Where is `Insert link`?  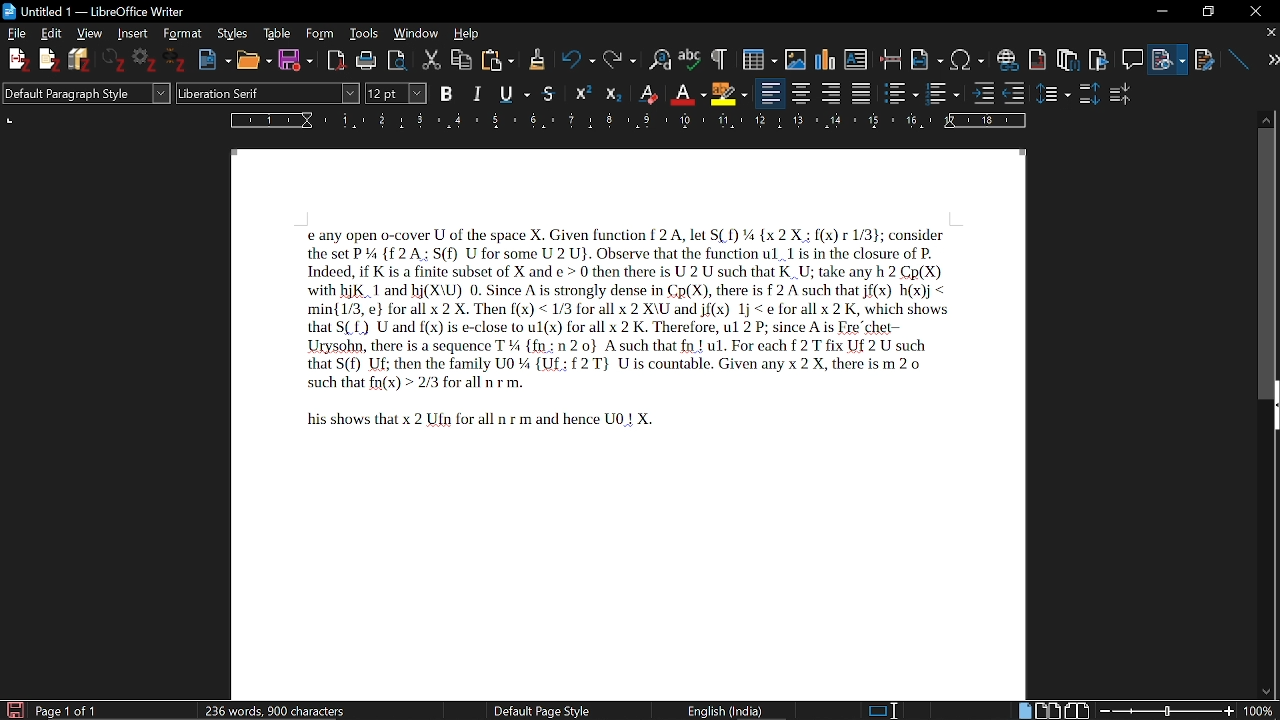
Insert link is located at coordinates (1007, 56).